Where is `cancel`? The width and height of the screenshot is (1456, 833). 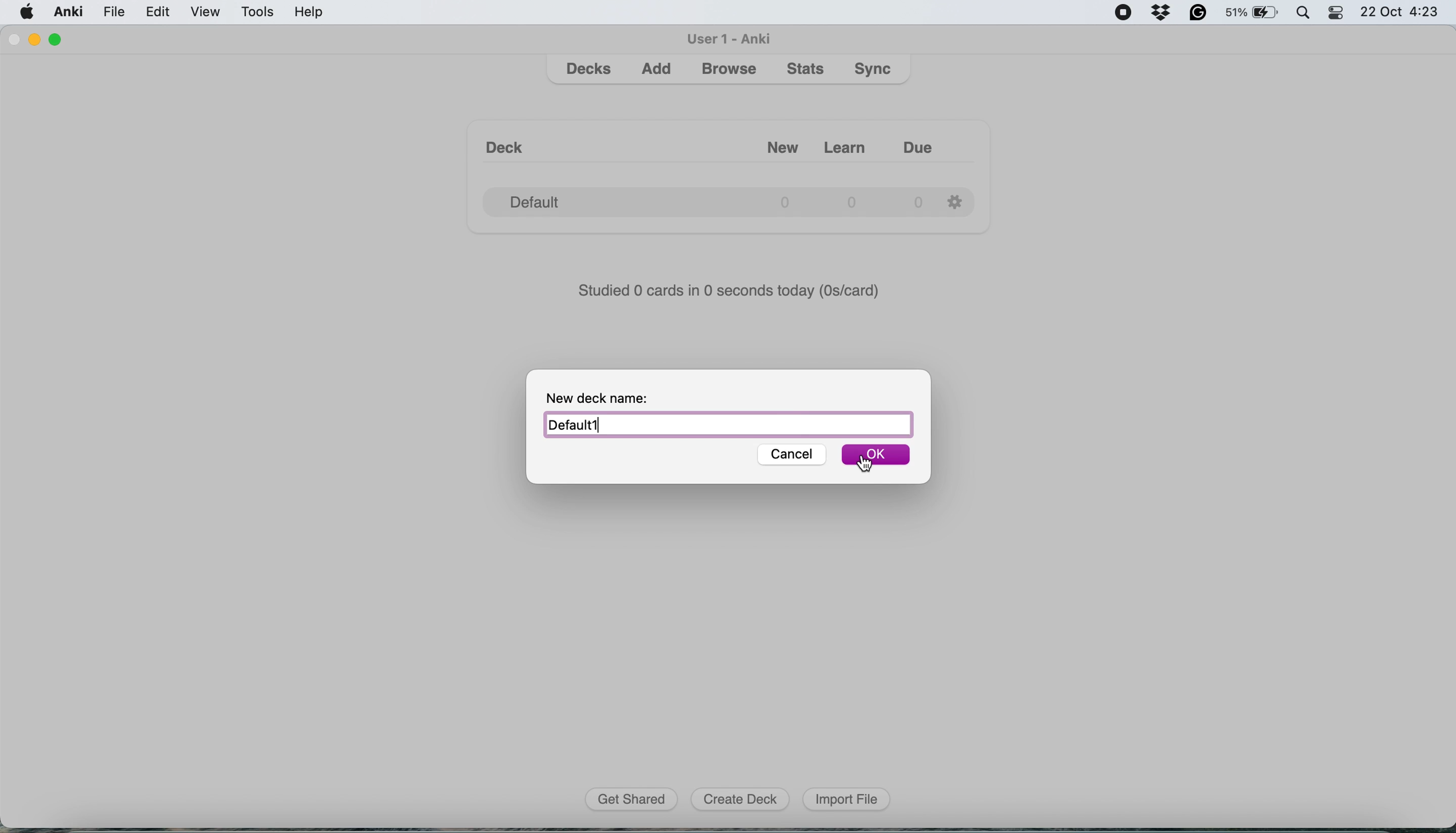 cancel is located at coordinates (787, 455).